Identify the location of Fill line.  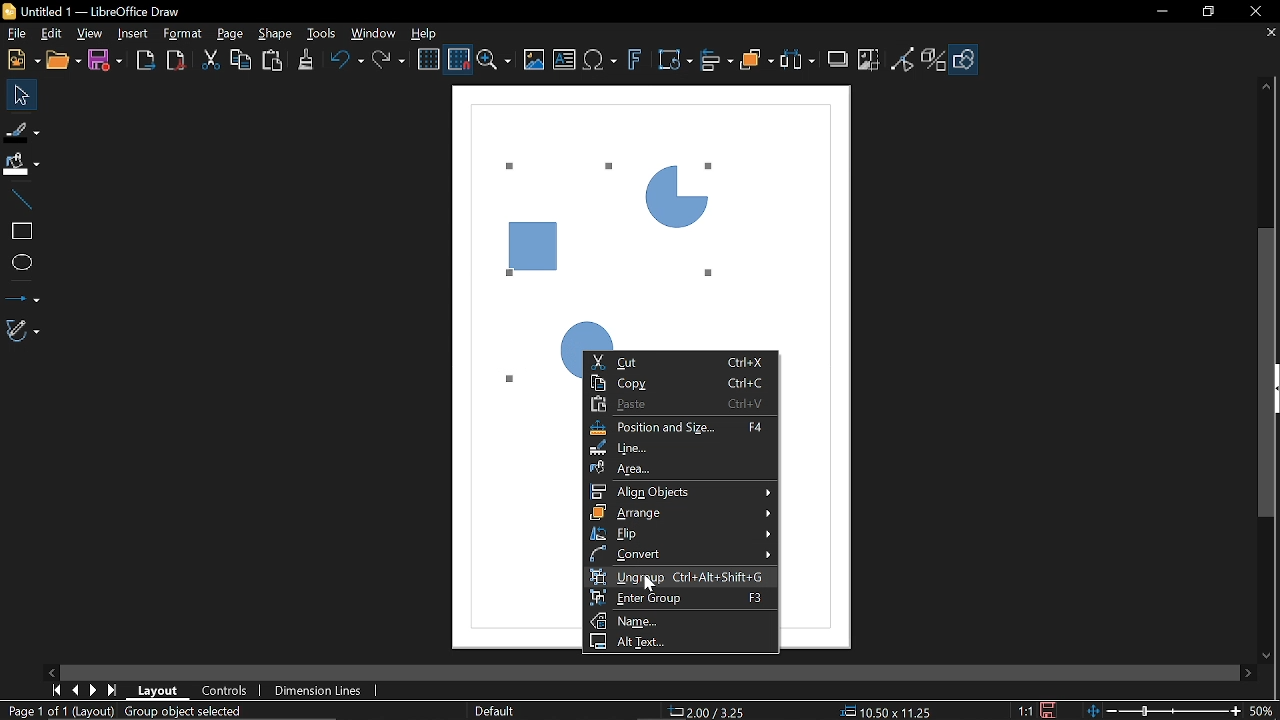
(22, 128).